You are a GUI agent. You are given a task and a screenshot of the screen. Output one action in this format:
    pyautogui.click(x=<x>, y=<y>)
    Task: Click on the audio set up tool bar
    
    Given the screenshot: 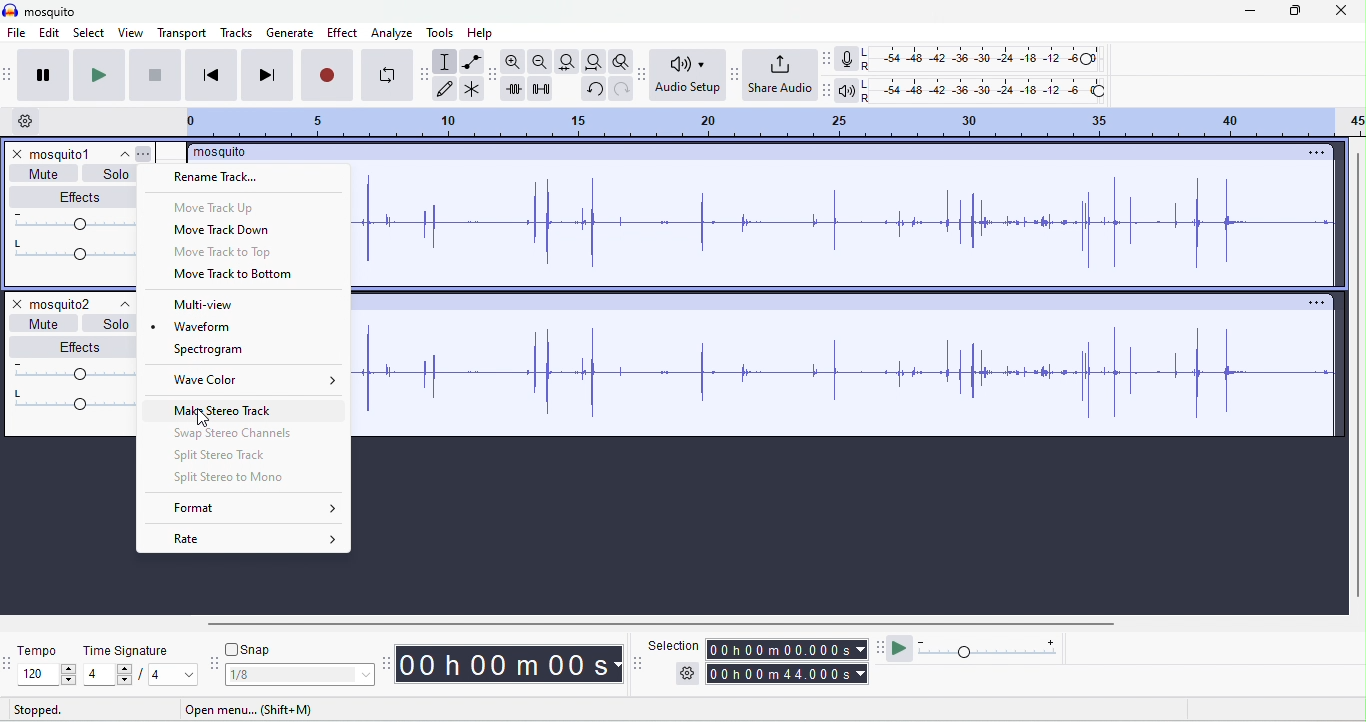 What is the action you would take?
    pyautogui.click(x=644, y=74)
    